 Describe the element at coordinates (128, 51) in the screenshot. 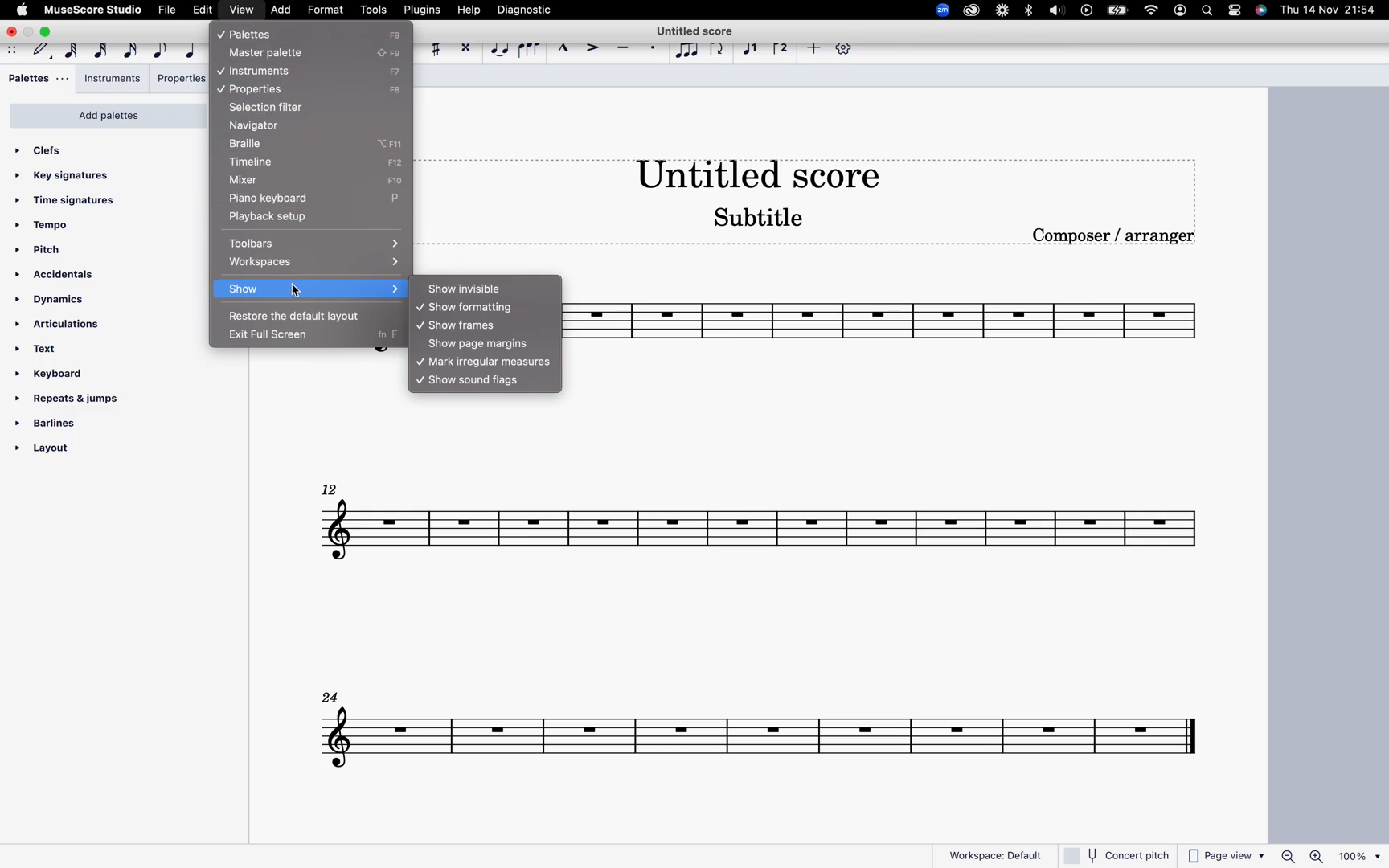

I see `16th note` at that location.